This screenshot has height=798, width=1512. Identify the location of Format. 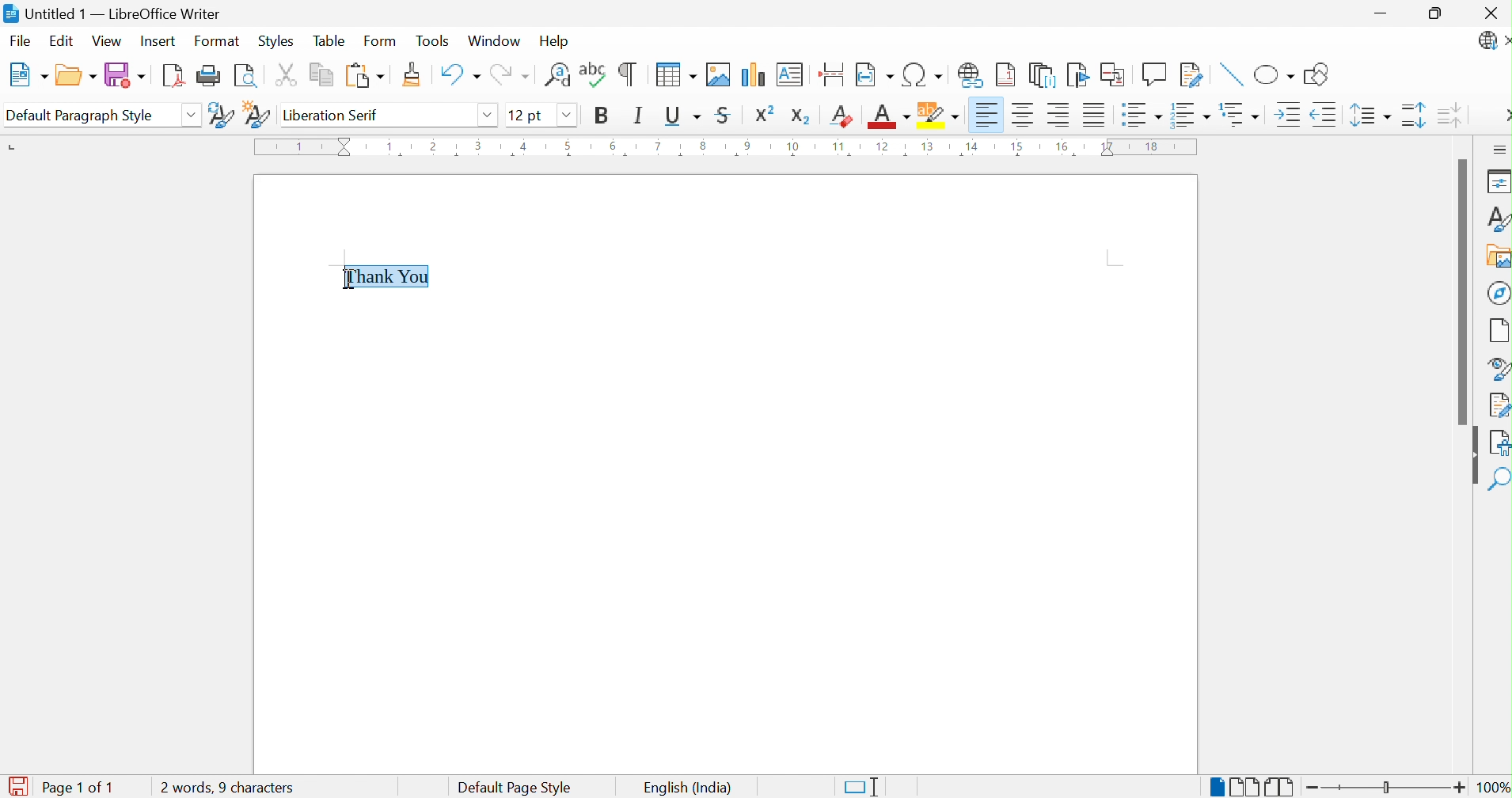
(218, 42).